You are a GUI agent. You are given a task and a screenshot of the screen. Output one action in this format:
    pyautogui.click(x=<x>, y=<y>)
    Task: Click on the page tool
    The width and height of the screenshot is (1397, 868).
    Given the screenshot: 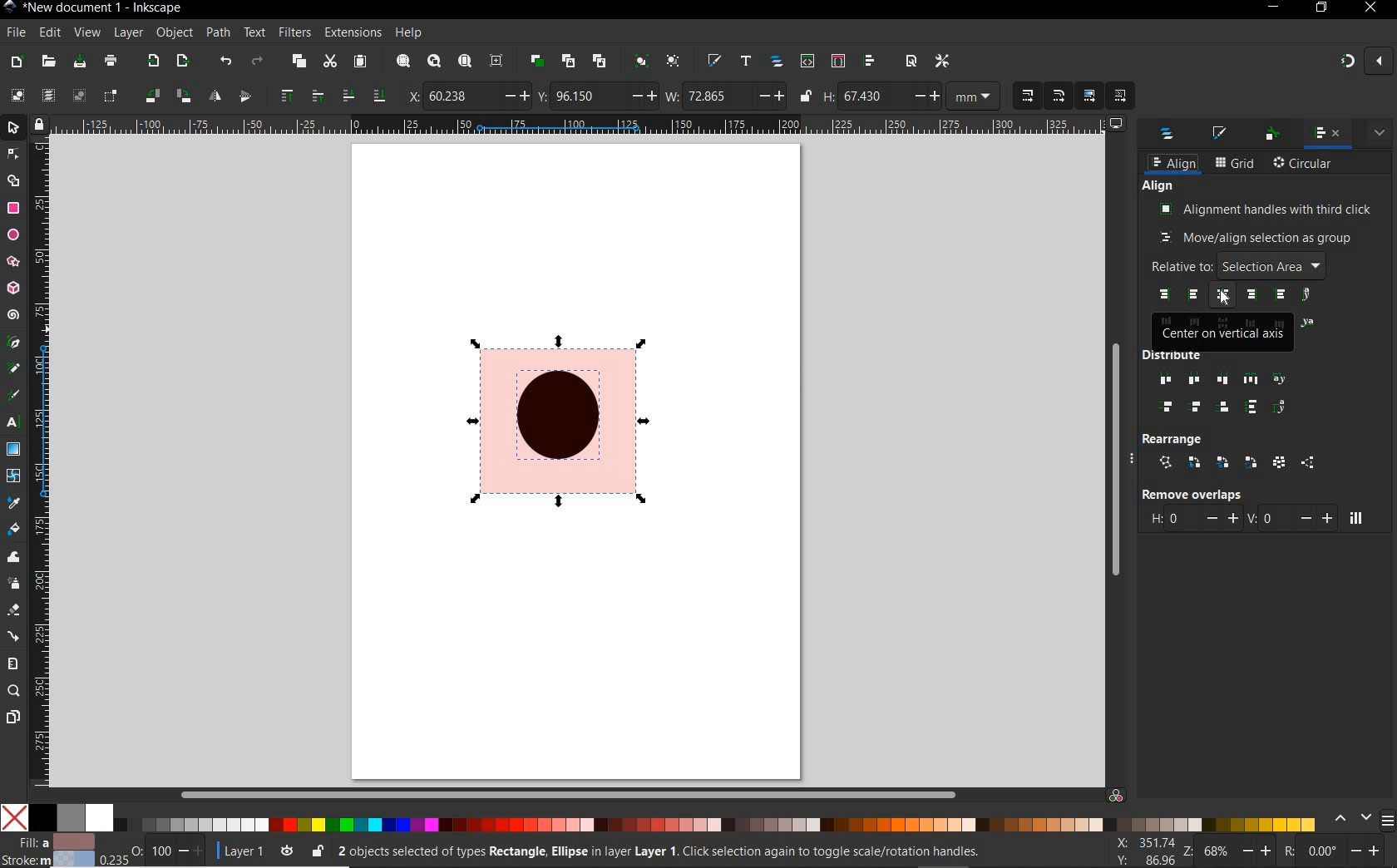 What is the action you would take?
    pyautogui.click(x=12, y=718)
    